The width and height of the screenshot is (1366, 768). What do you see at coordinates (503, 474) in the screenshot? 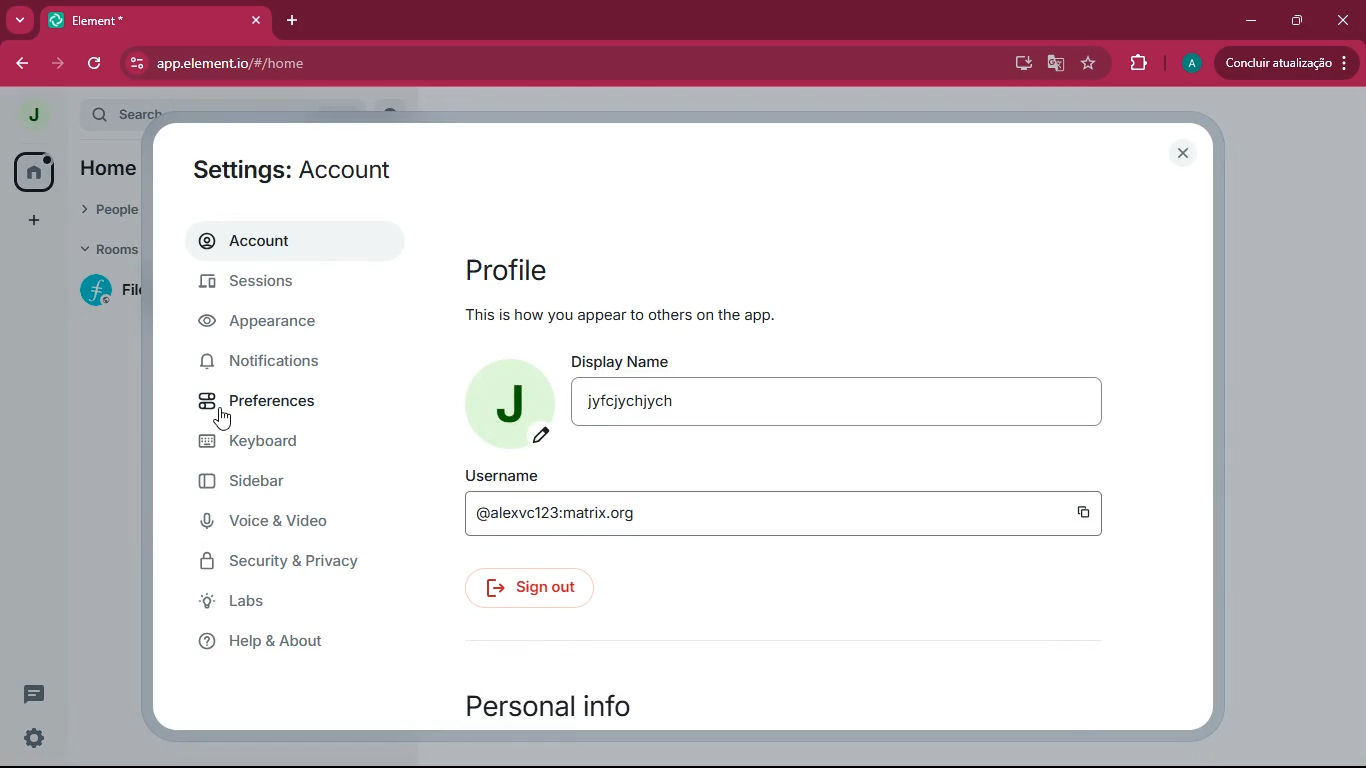
I see `username` at bounding box center [503, 474].